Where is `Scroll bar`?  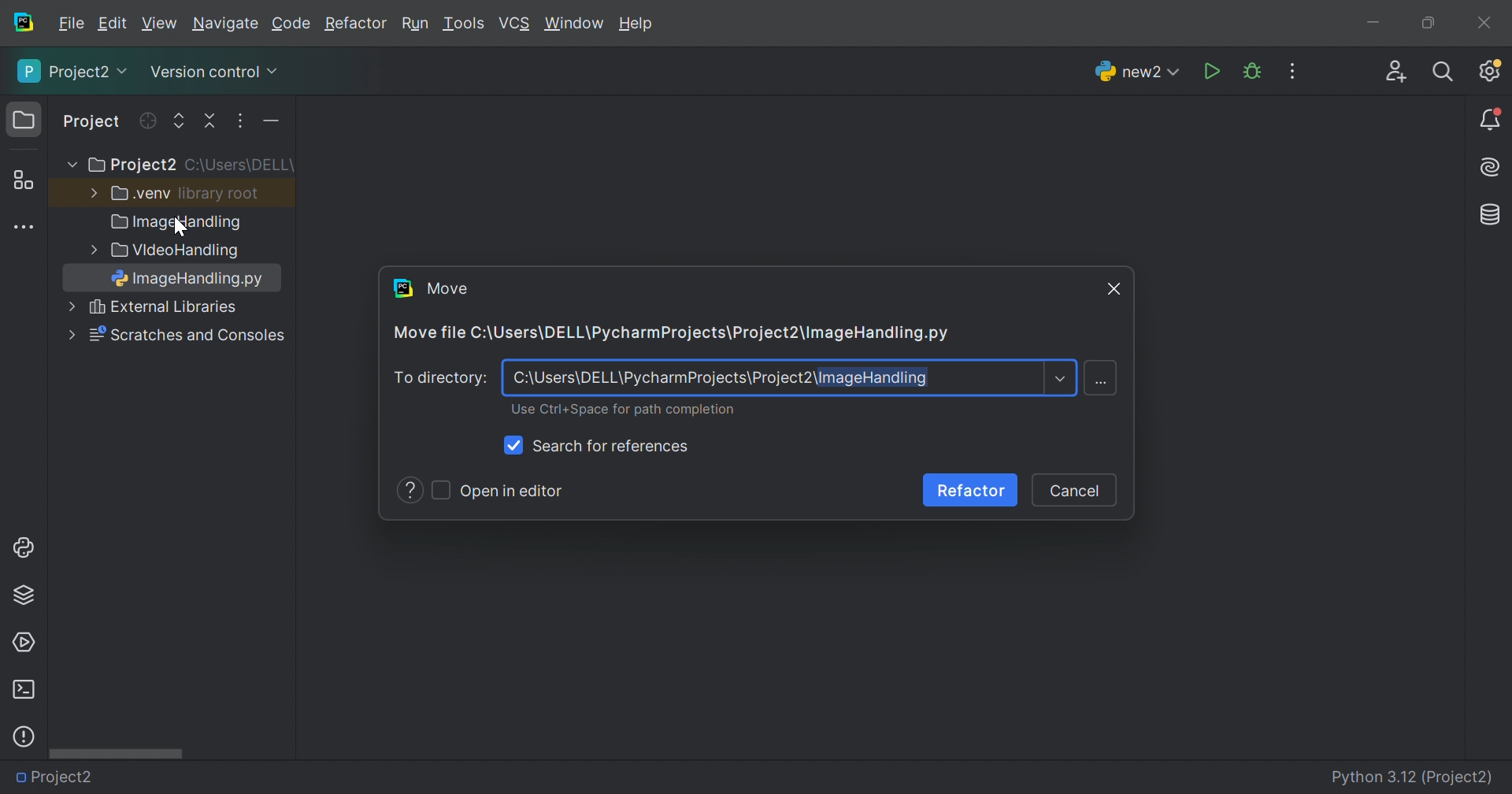 Scroll bar is located at coordinates (116, 752).